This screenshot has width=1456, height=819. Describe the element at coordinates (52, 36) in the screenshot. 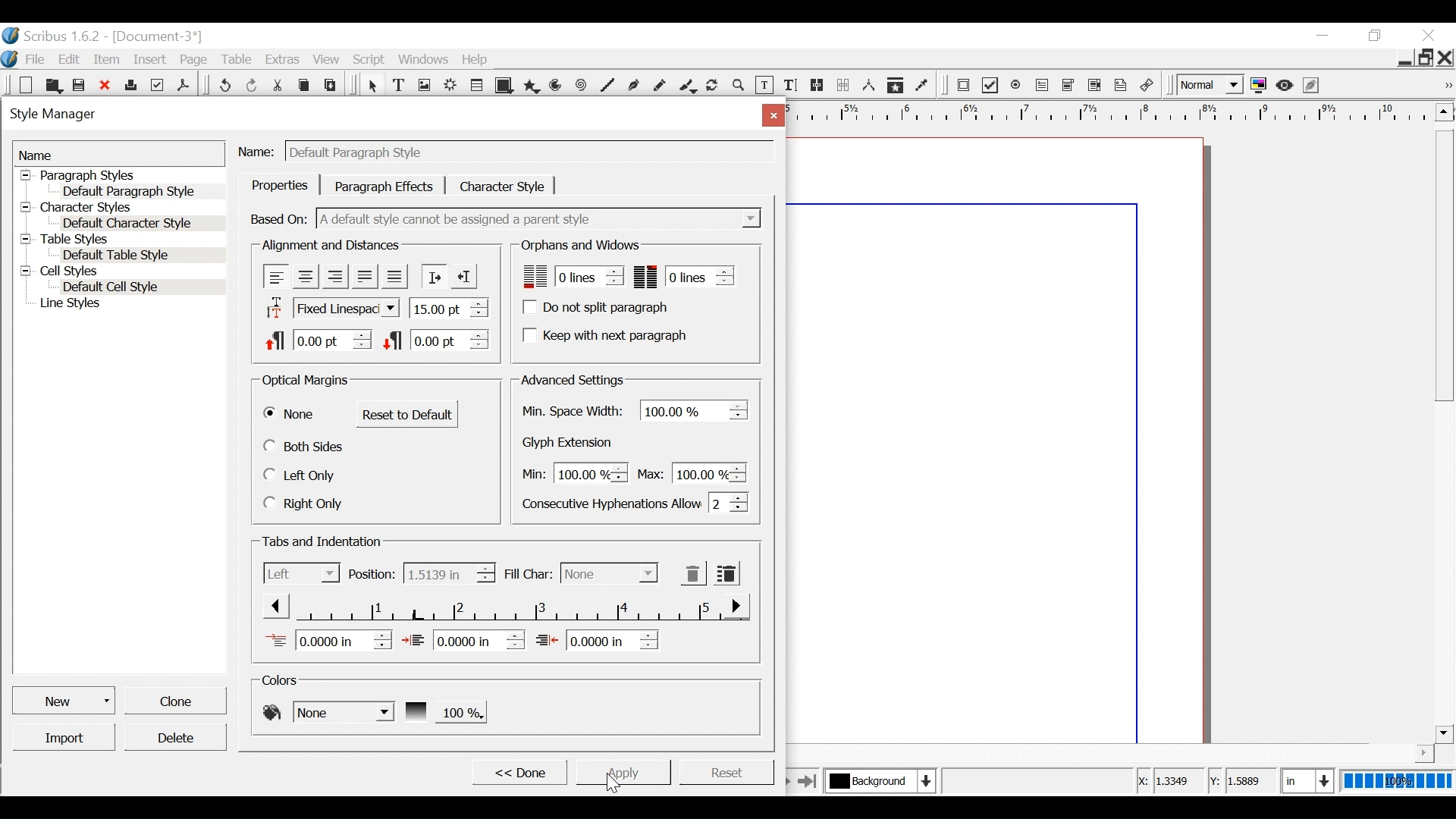

I see `Scribus version` at that location.